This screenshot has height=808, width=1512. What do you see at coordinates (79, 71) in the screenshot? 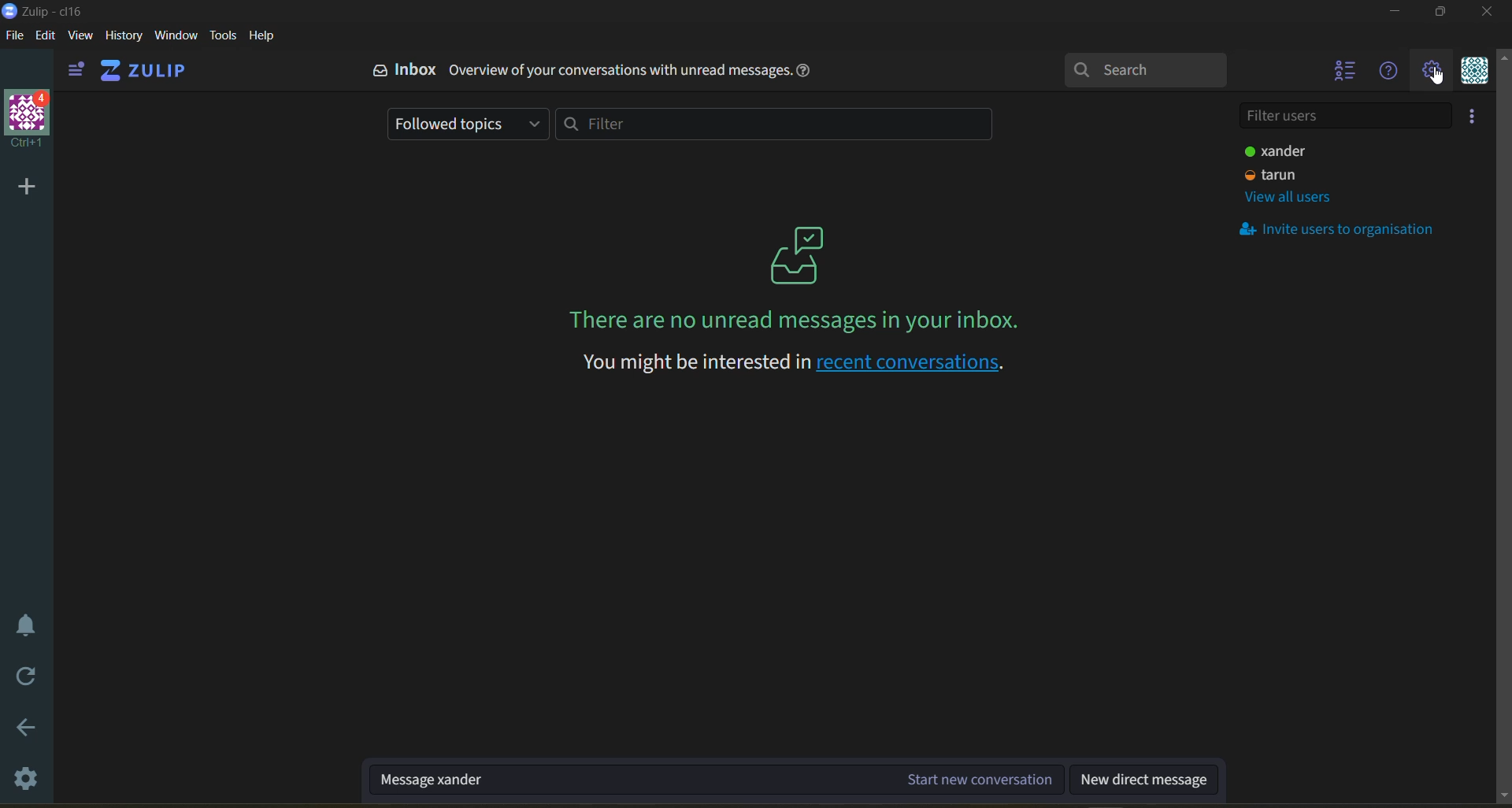
I see `view side bar` at bounding box center [79, 71].